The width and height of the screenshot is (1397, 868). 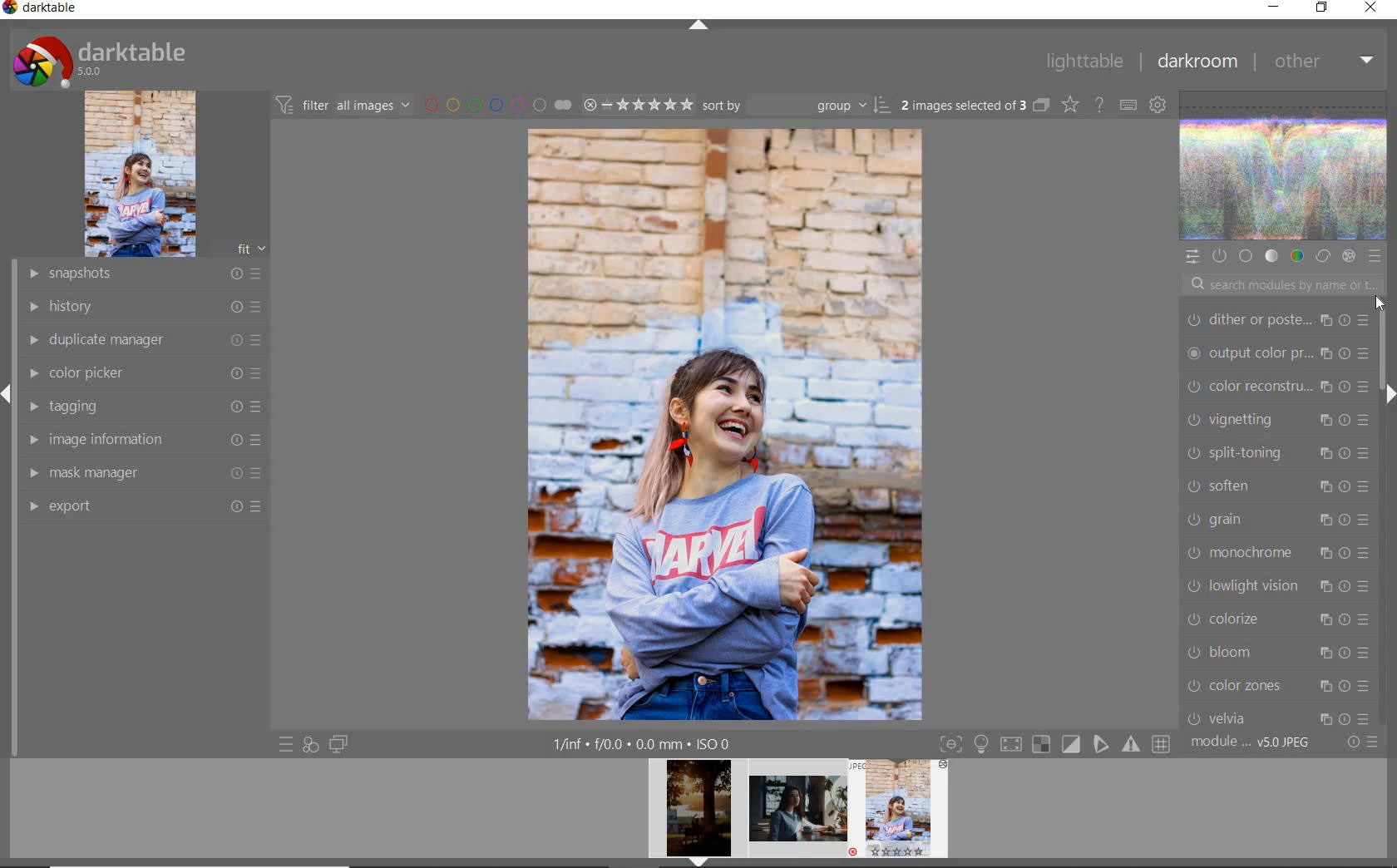 What do you see at coordinates (797, 104) in the screenshot?
I see `SORT` at bounding box center [797, 104].